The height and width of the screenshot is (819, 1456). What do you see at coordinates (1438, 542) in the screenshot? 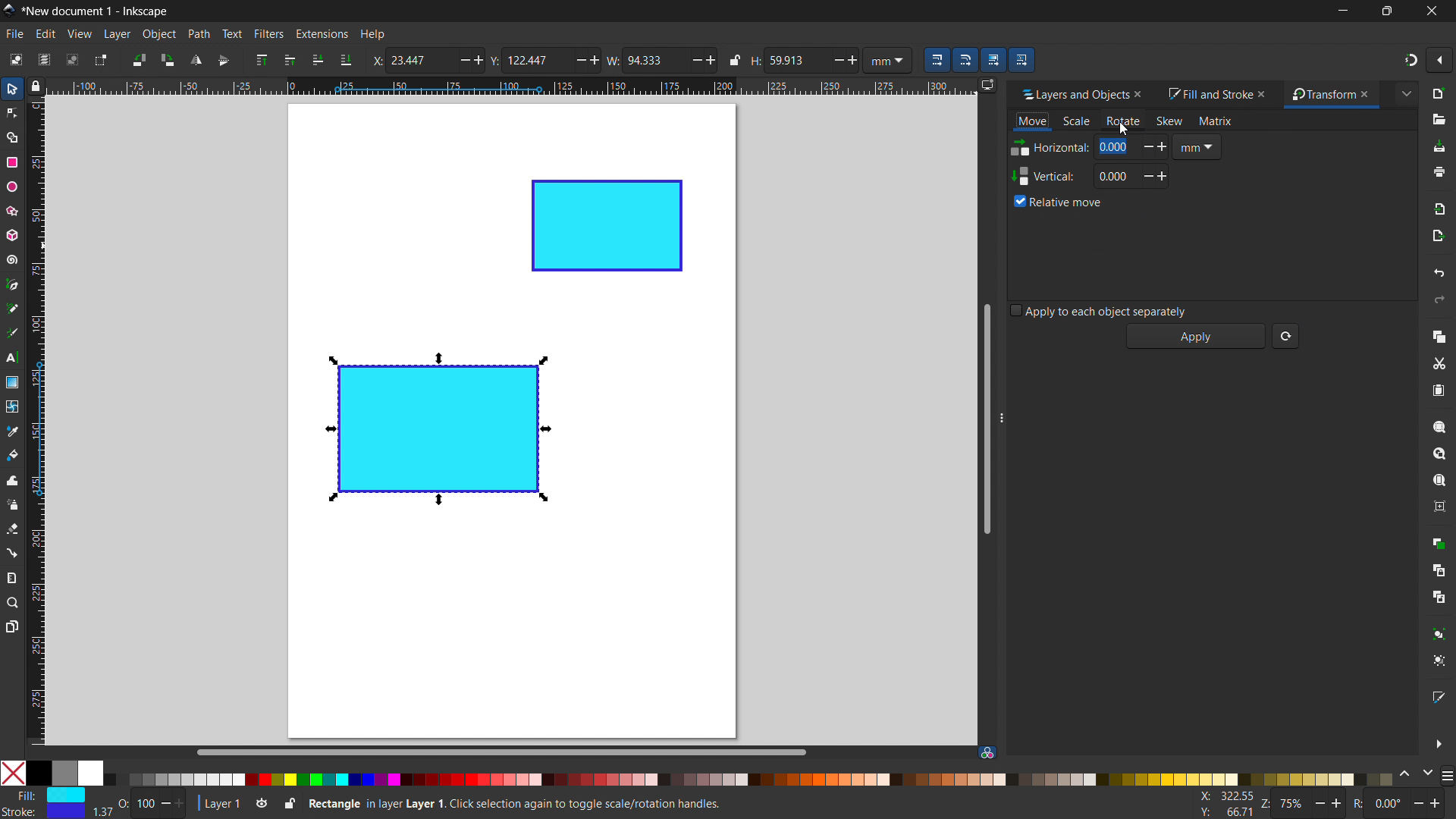
I see `duplicate` at bounding box center [1438, 542].